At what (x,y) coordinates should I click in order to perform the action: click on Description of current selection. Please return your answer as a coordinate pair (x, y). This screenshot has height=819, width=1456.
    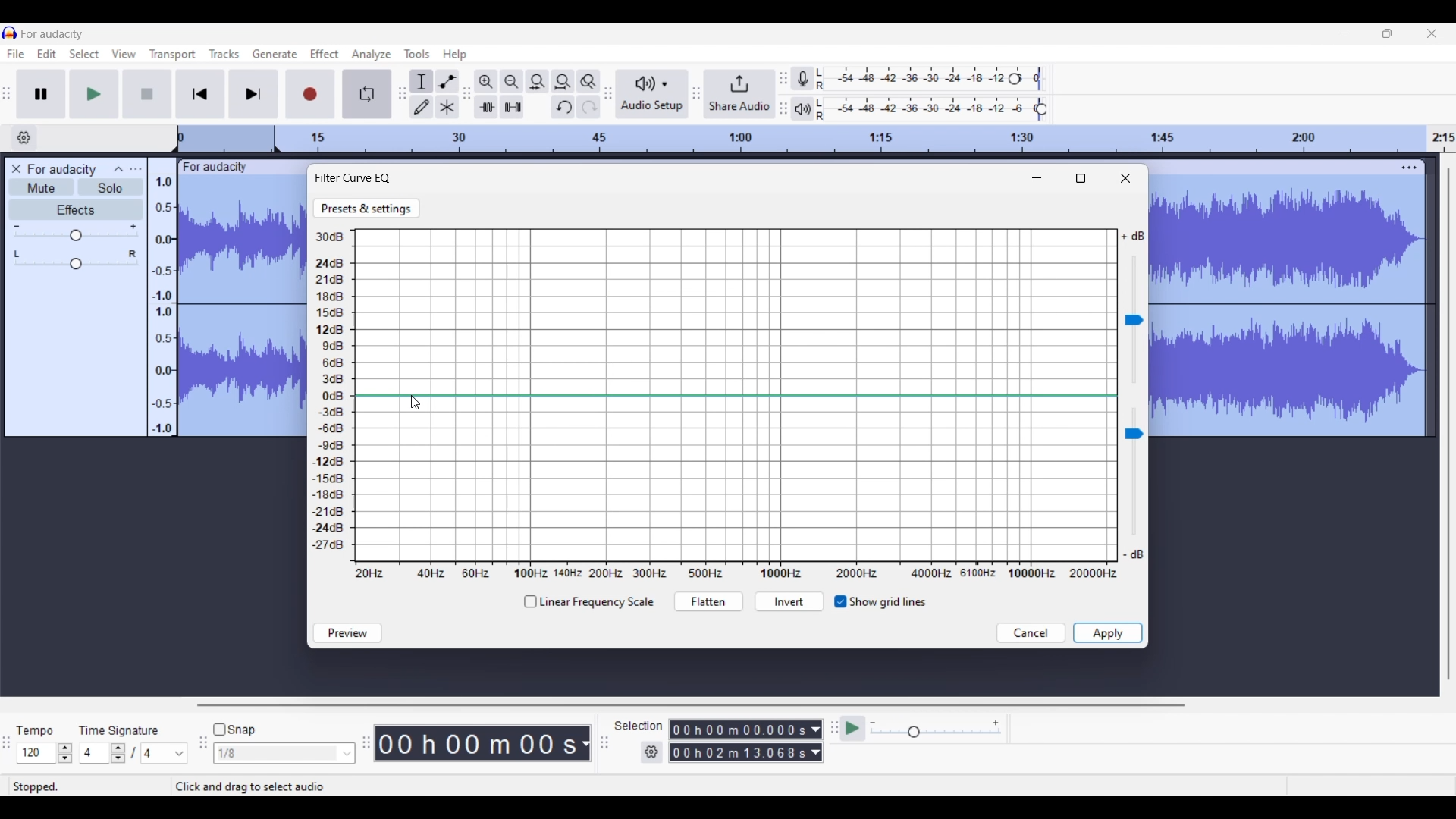
    Looking at the image, I should click on (267, 786).